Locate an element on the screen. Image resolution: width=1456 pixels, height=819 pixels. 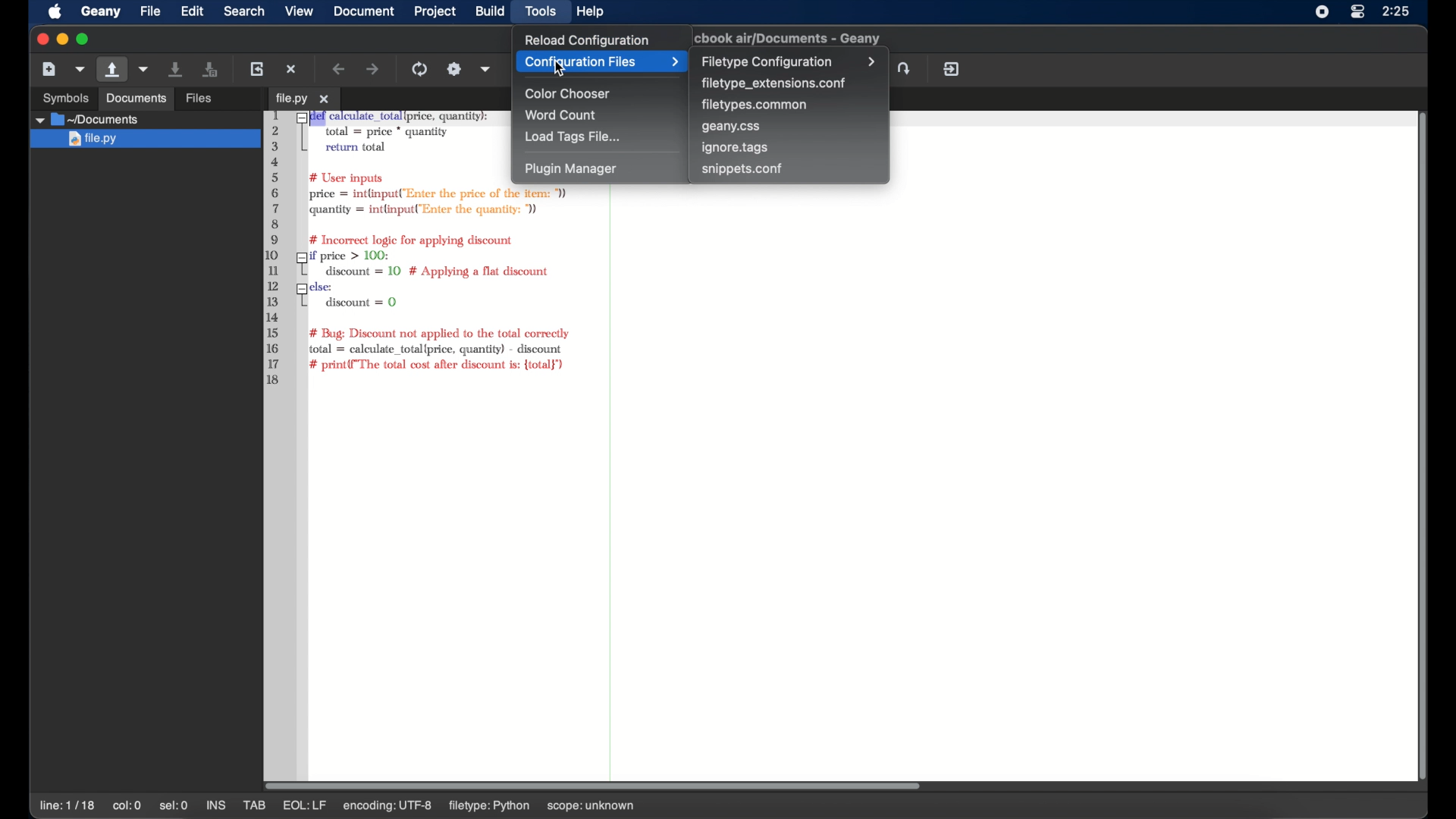
close the current file is located at coordinates (292, 69).